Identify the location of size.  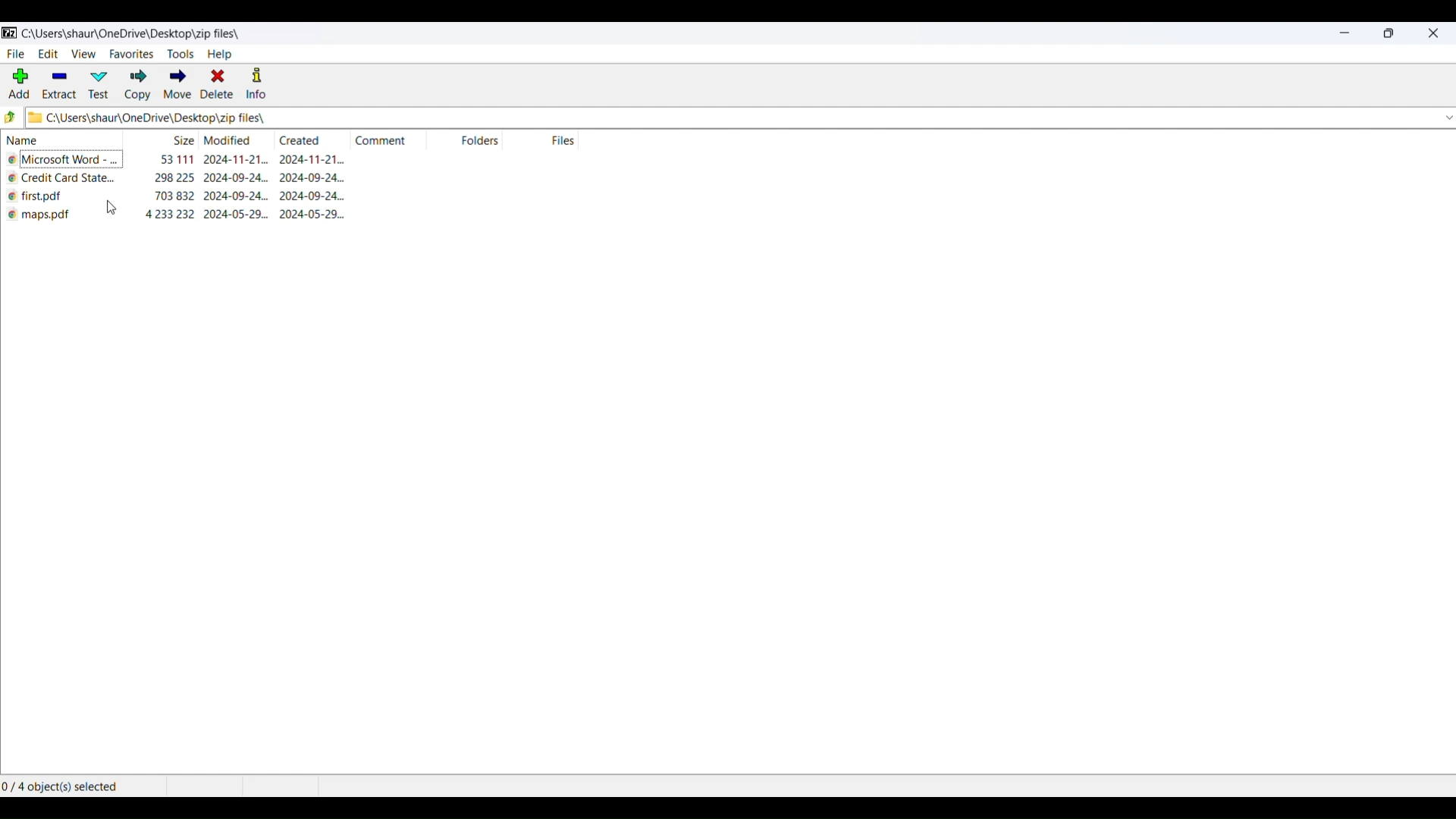
(180, 142).